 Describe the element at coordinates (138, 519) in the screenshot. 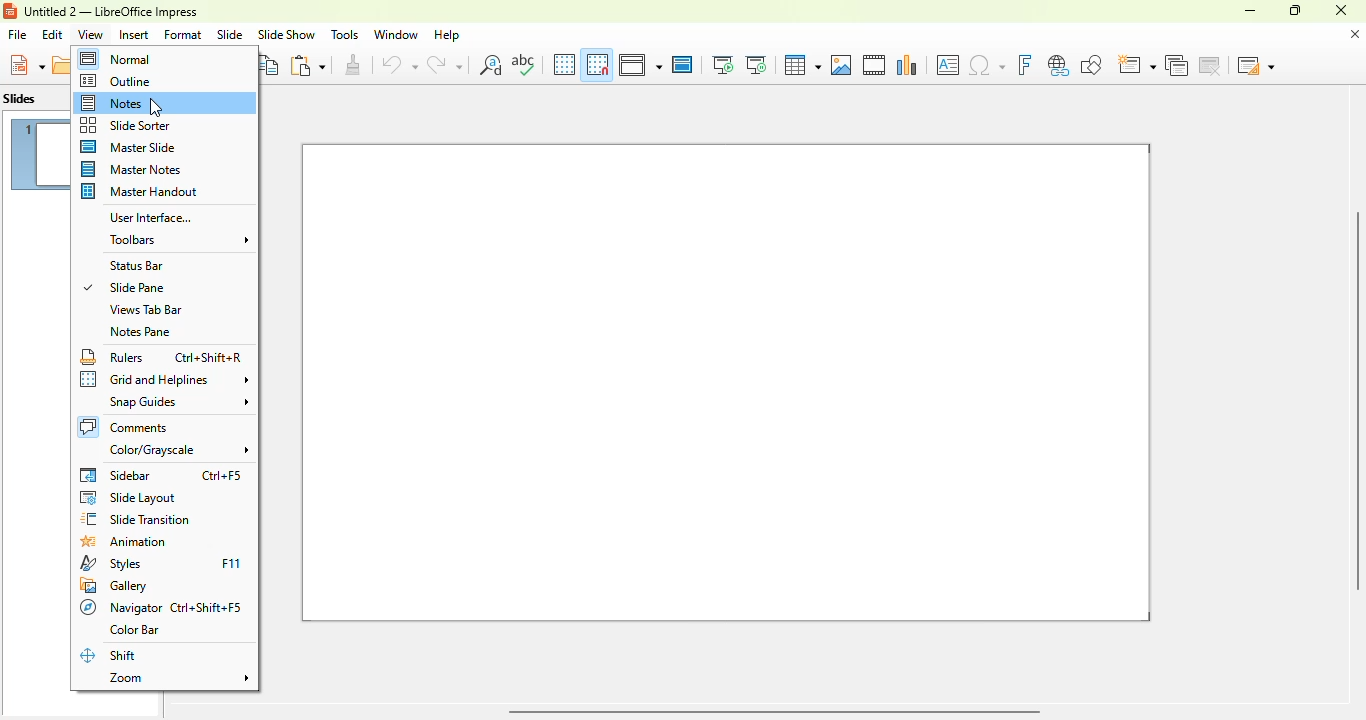

I see `slide transition` at that location.